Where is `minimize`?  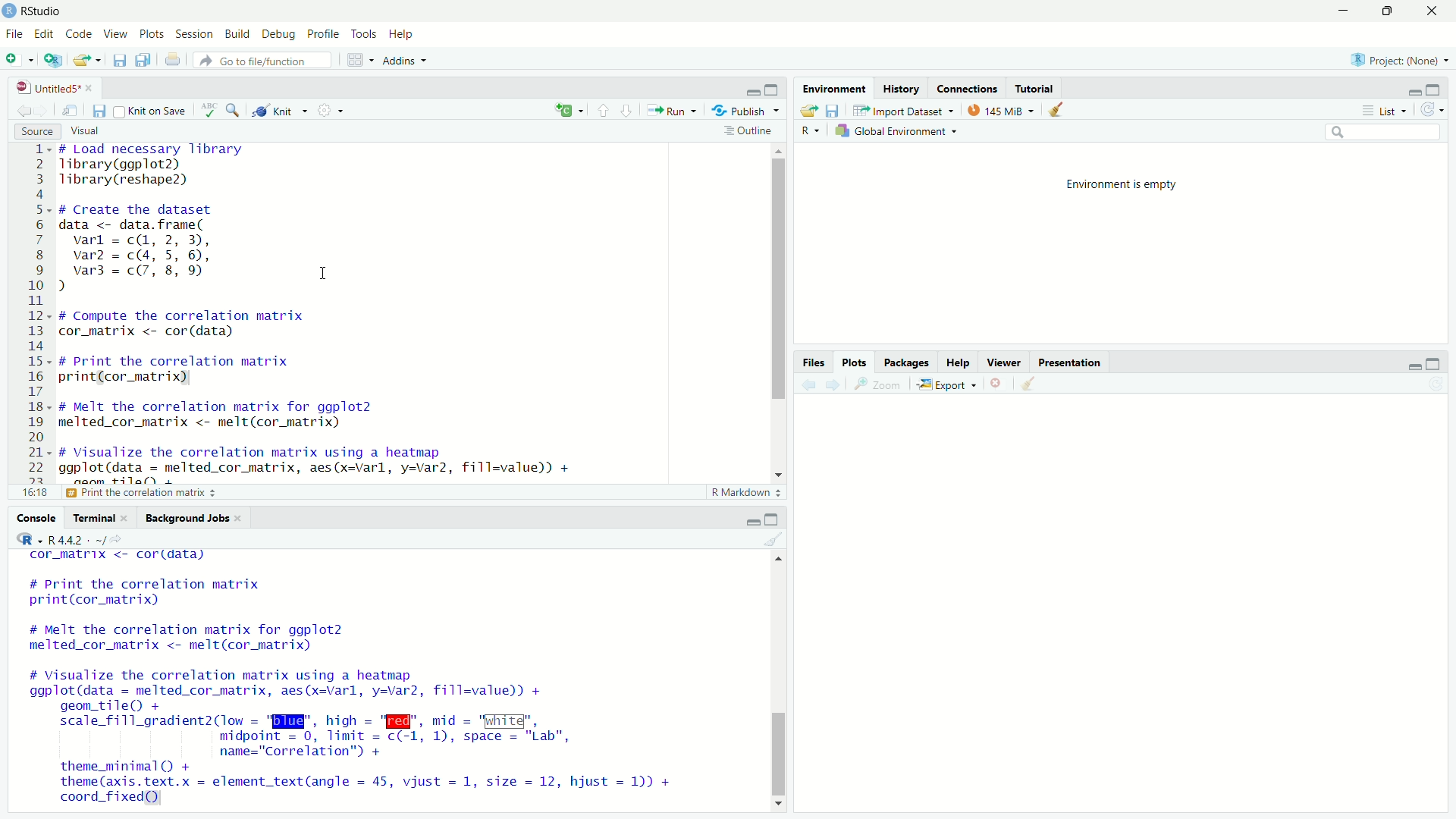 minimize is located at coordinates (1416, 365).